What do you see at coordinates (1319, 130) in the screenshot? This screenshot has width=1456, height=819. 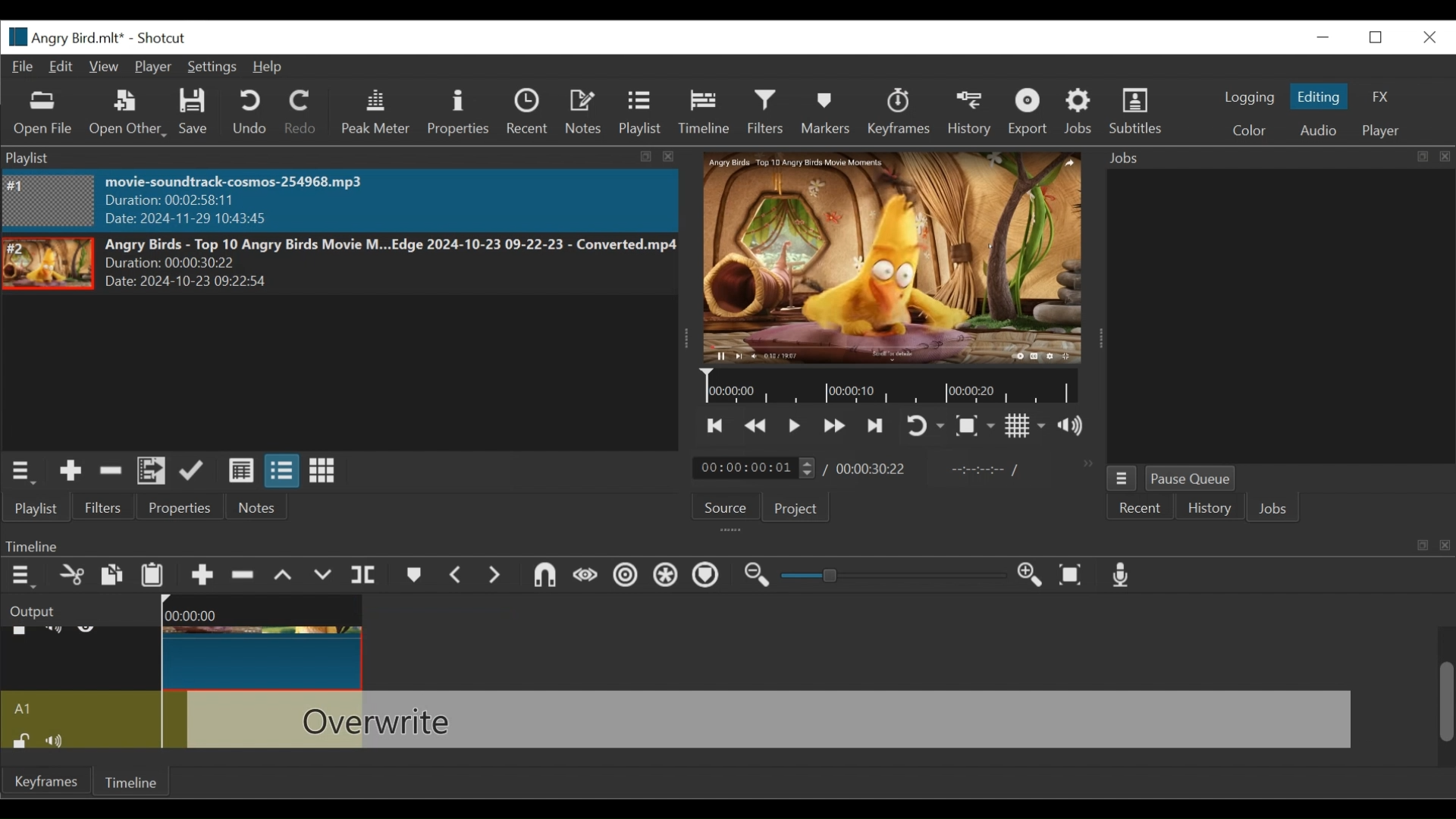 I see `Audio` at bounding box center [1319, 130].